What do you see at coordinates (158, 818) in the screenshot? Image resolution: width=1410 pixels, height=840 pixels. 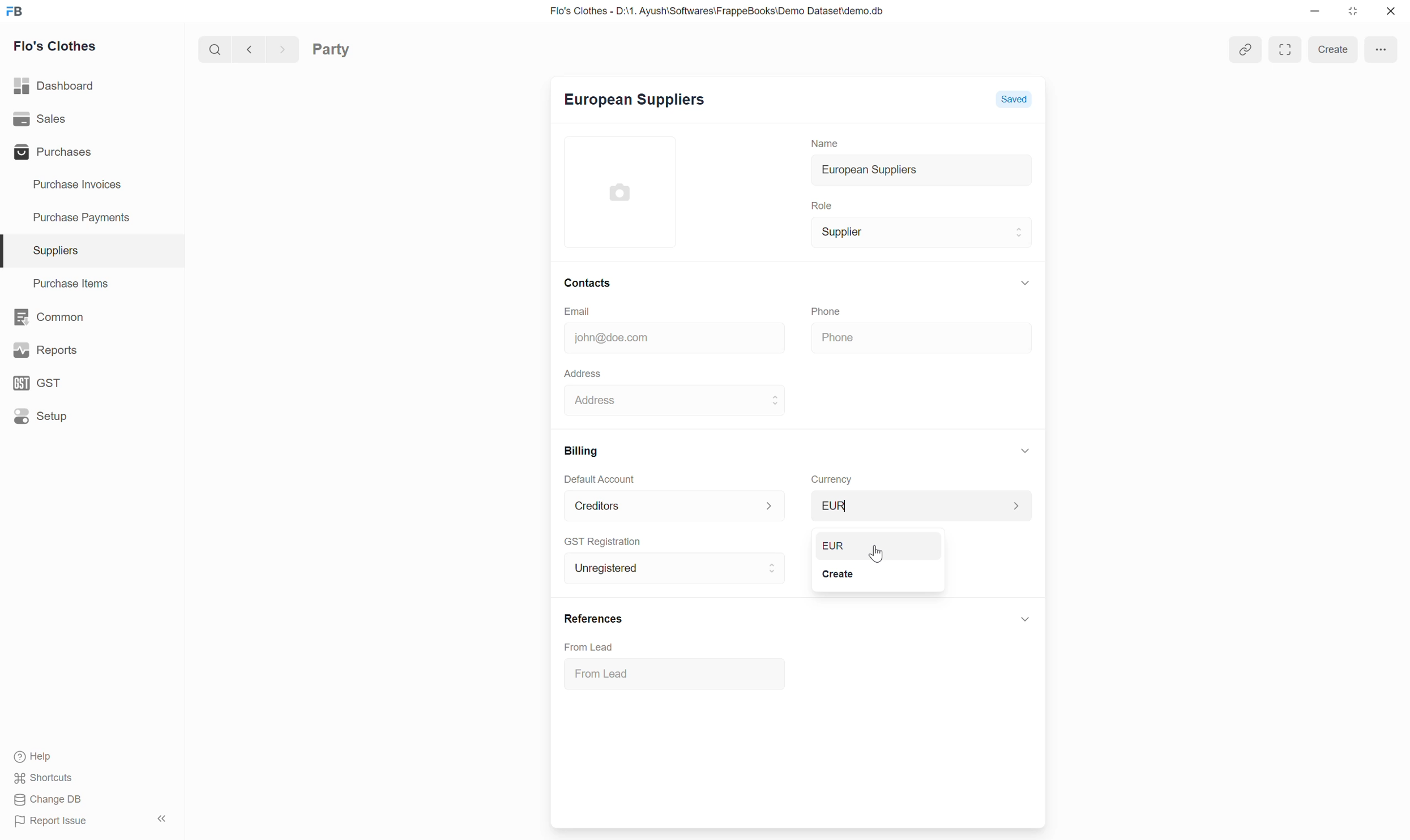 I see `hide` at bounding box center [158, 818].